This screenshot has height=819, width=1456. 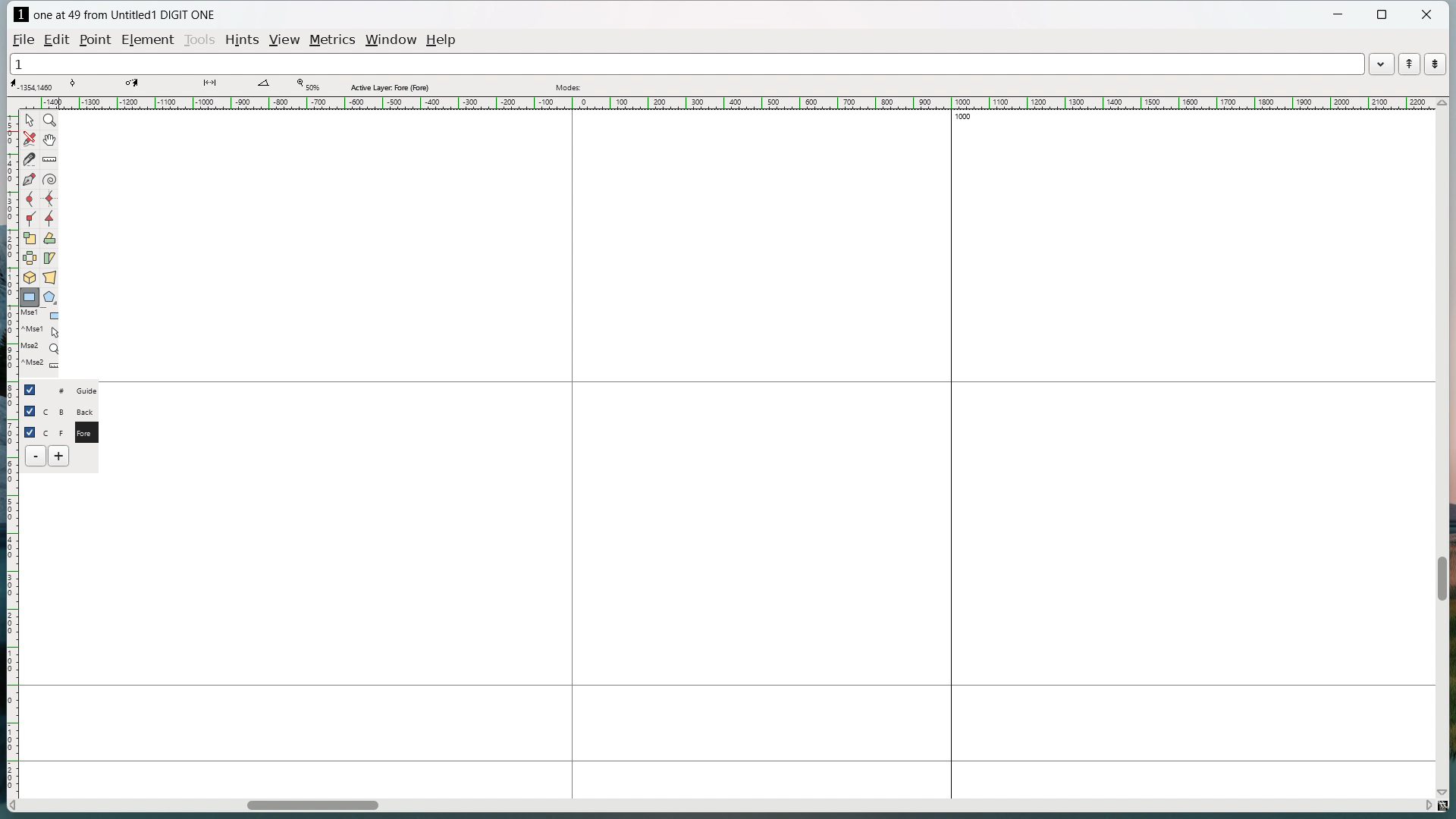 I want to click on add layer, so click(x=60, y=456).